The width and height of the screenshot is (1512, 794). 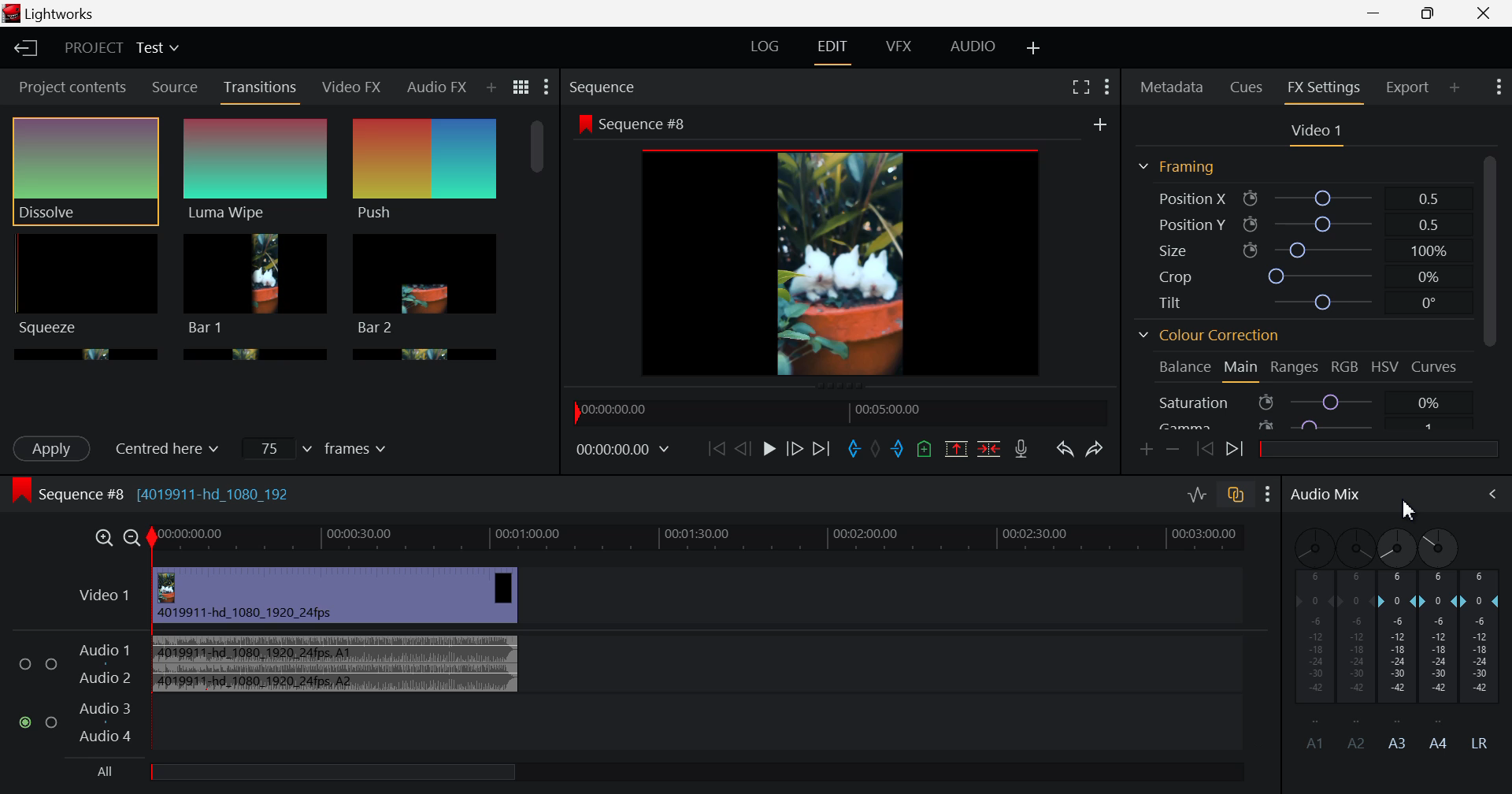 I want to click on Undo, so click(x=1066, y=451).